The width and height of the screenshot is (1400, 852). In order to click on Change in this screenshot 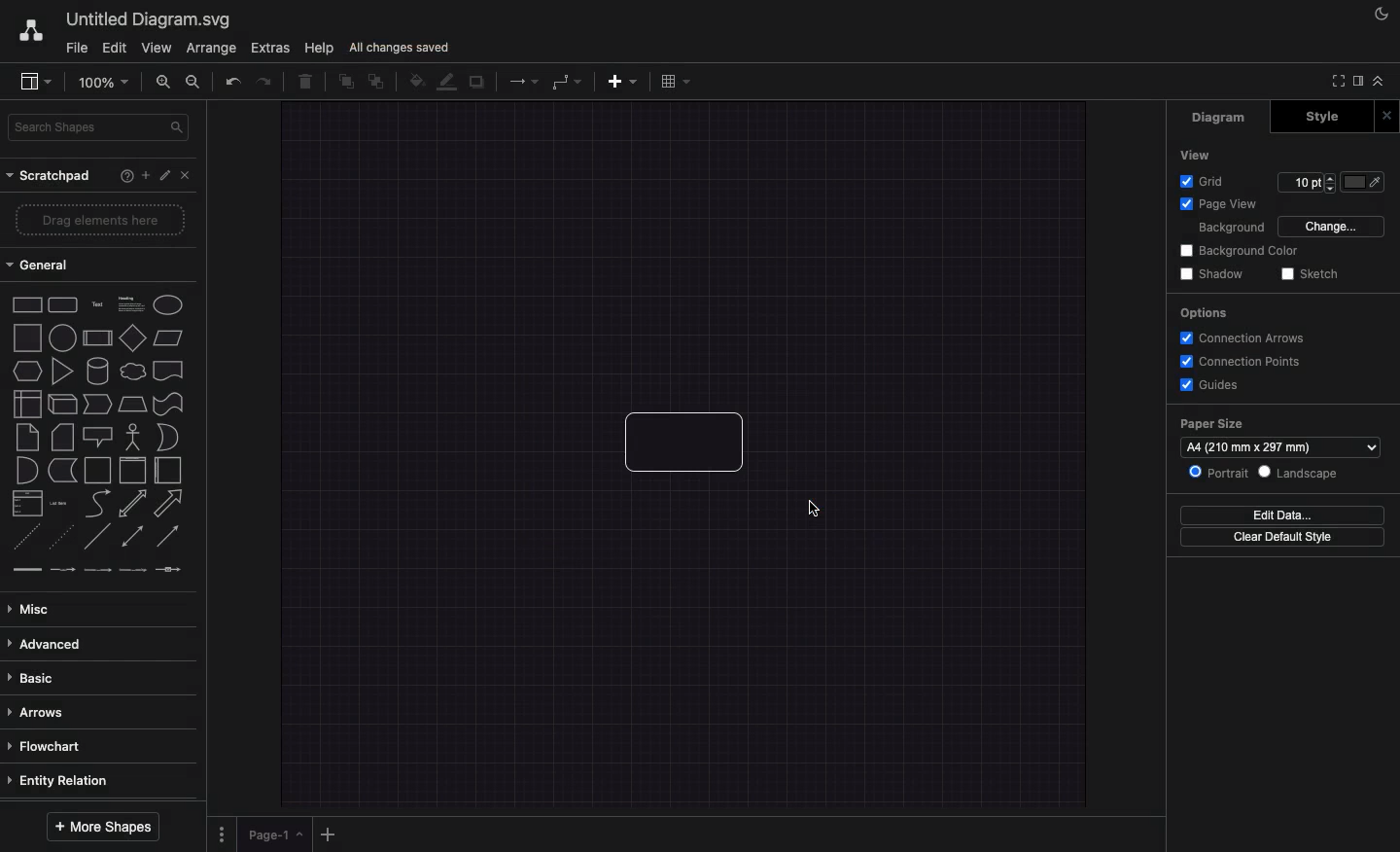, I will do `click(1331, 225)`.